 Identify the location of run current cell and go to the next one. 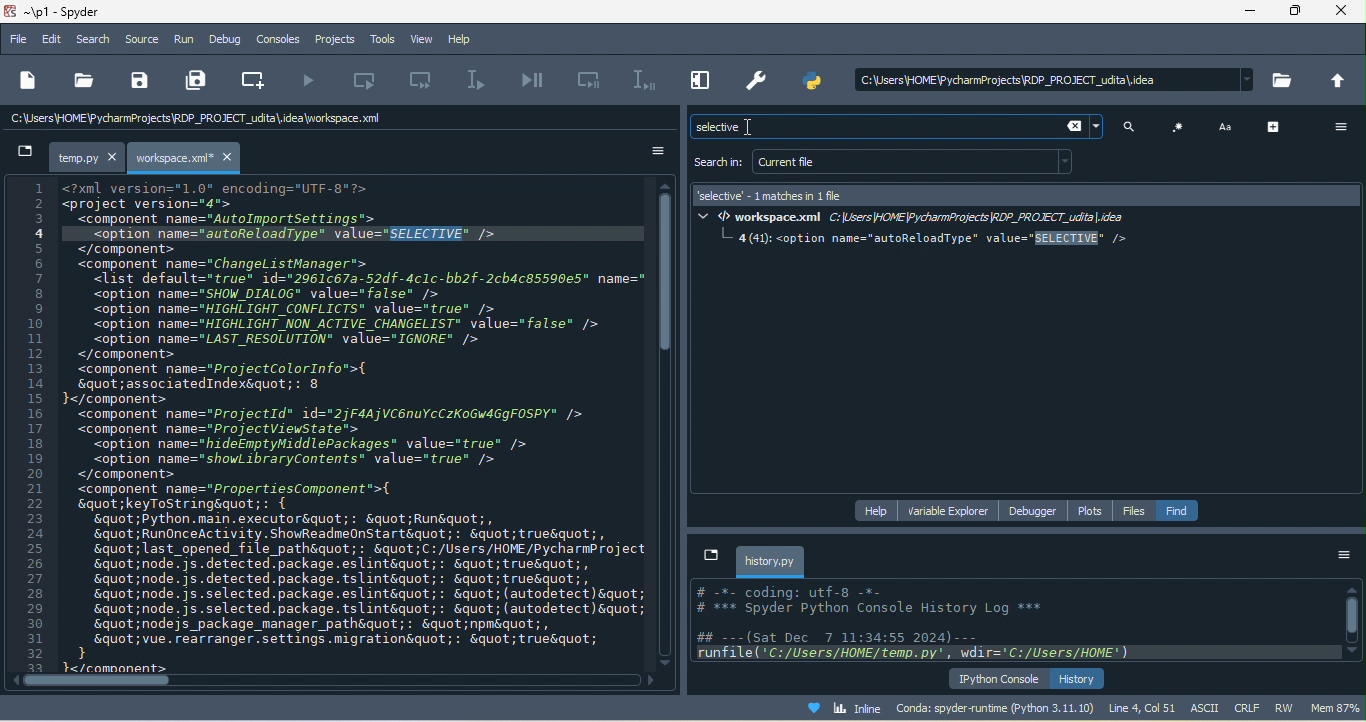
(425, 83).